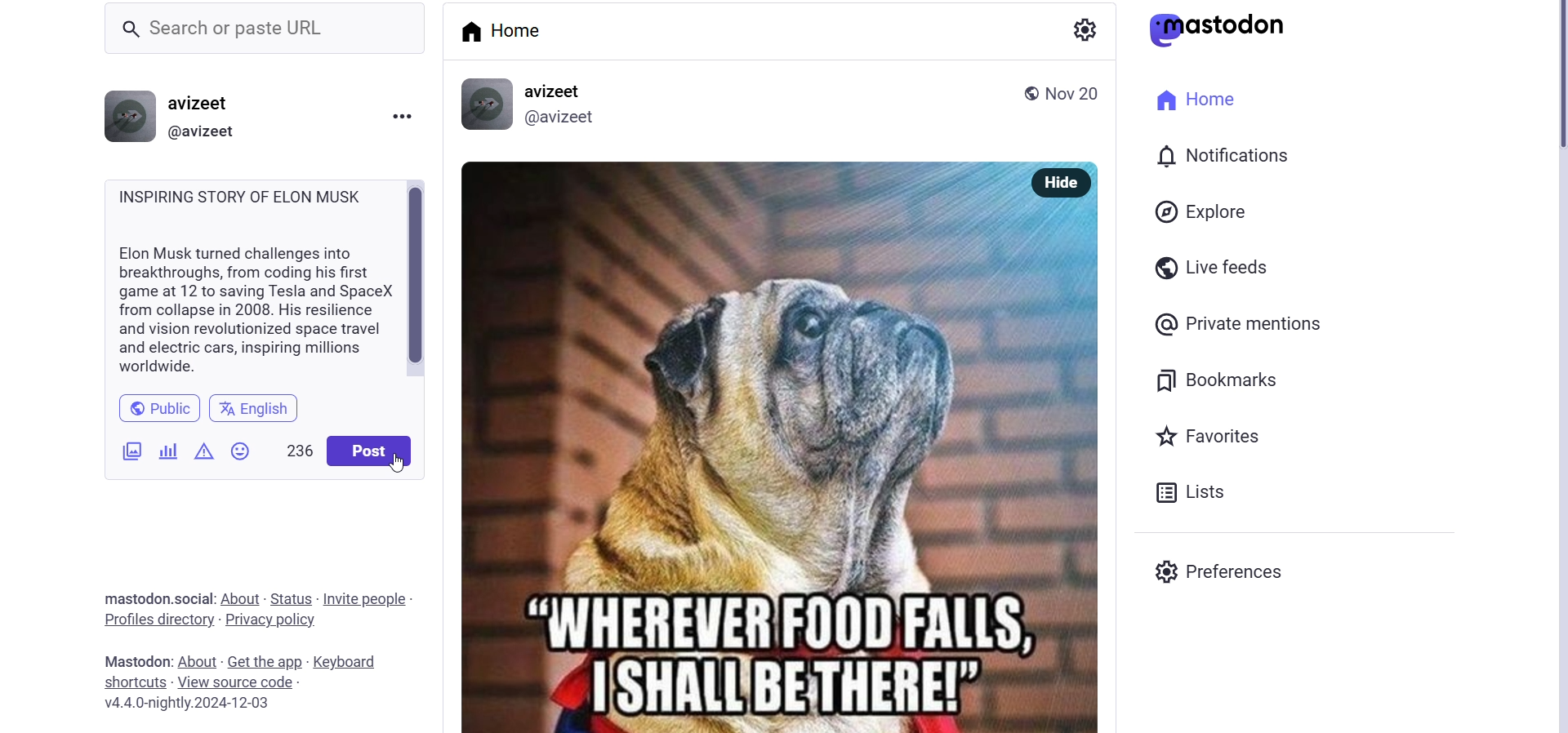 The width and height of the screenshot is (1568, 733). I want to click on live feeds, so click(1210, 269).